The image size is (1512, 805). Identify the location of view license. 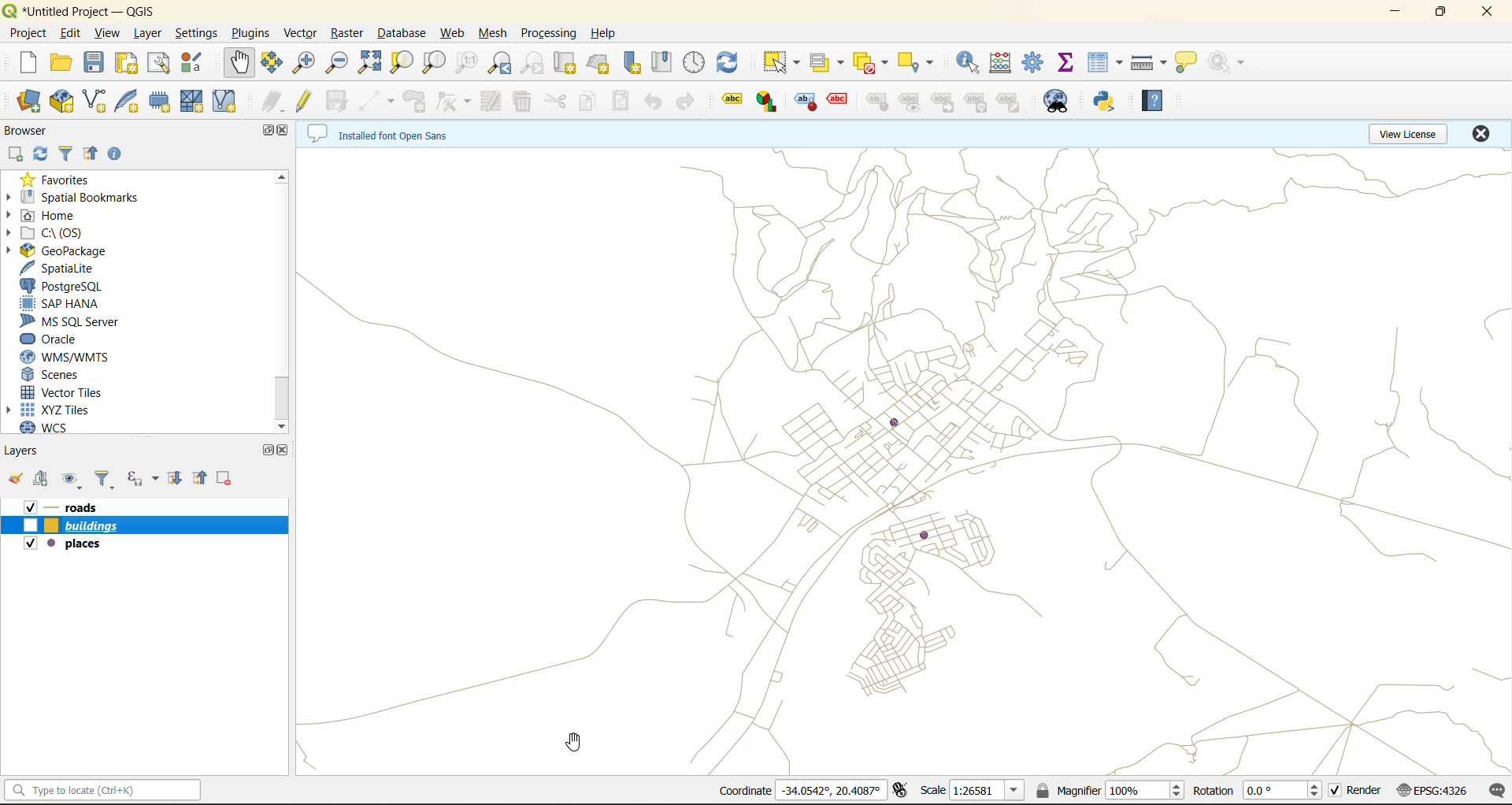
(1407, 134).